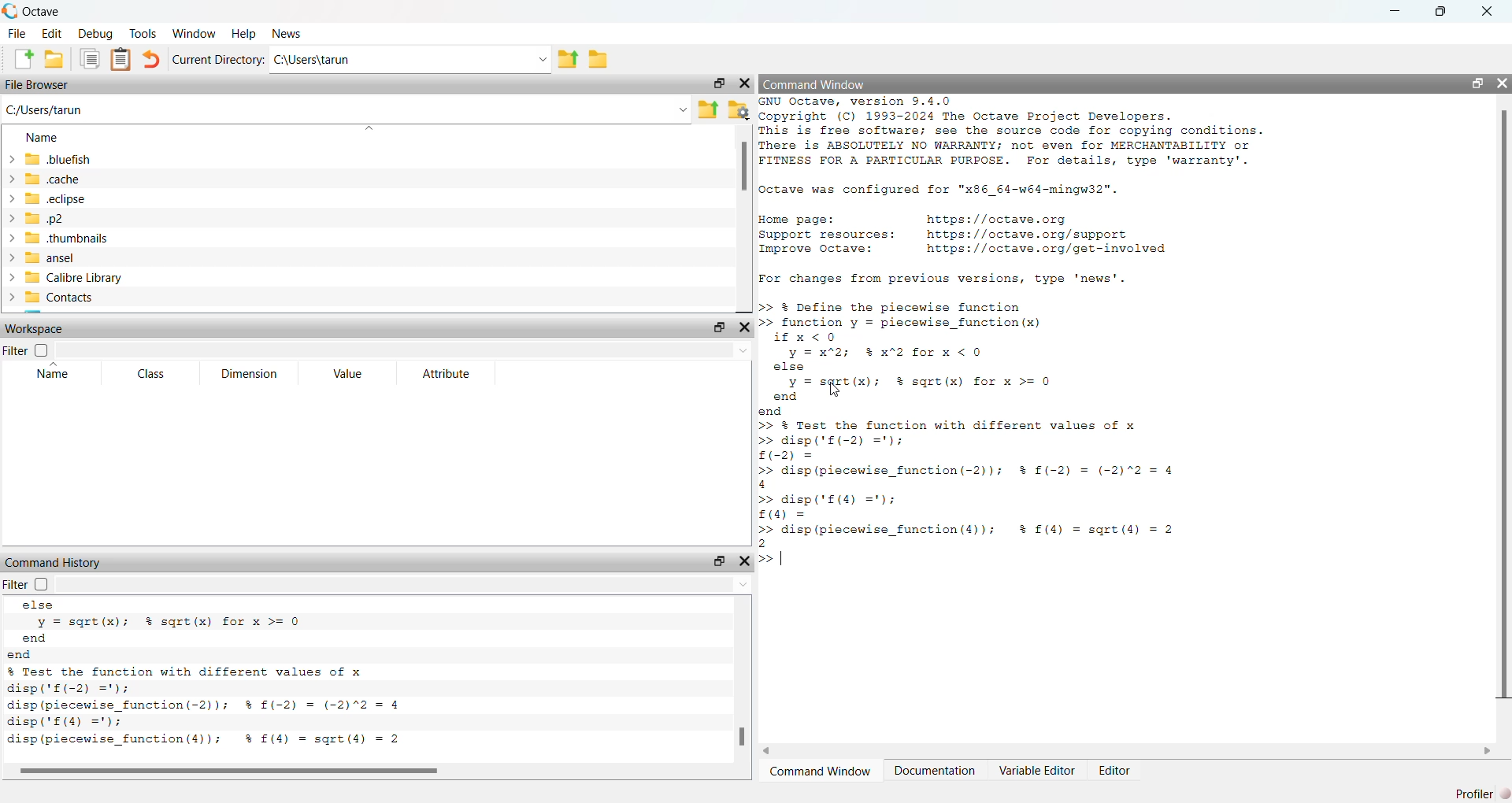  Describe the element at coordinates (1485, 13) in the screenshot. I see `Close` at that location.